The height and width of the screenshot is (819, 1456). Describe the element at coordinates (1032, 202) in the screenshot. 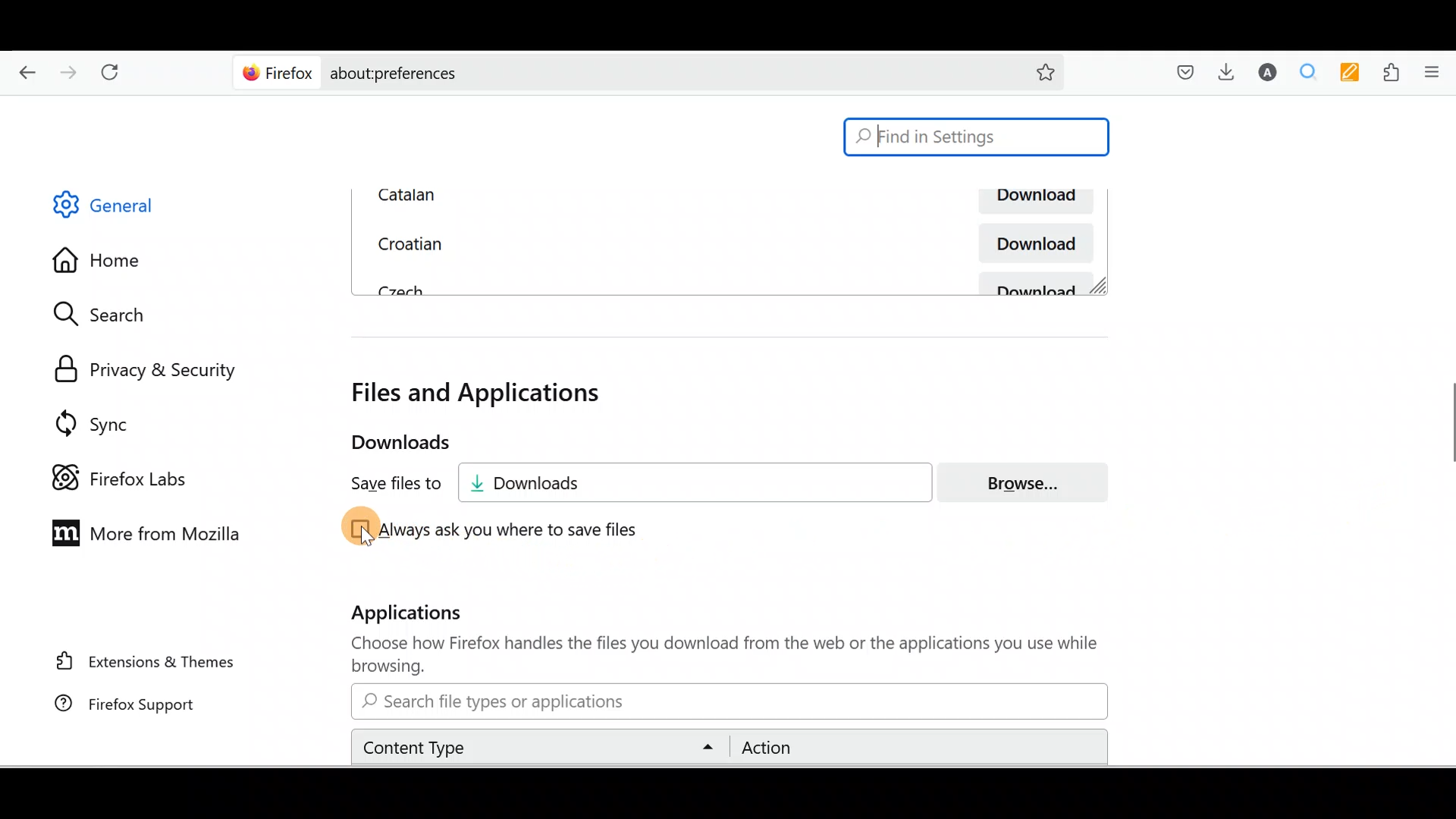

I see `Download` at that location.